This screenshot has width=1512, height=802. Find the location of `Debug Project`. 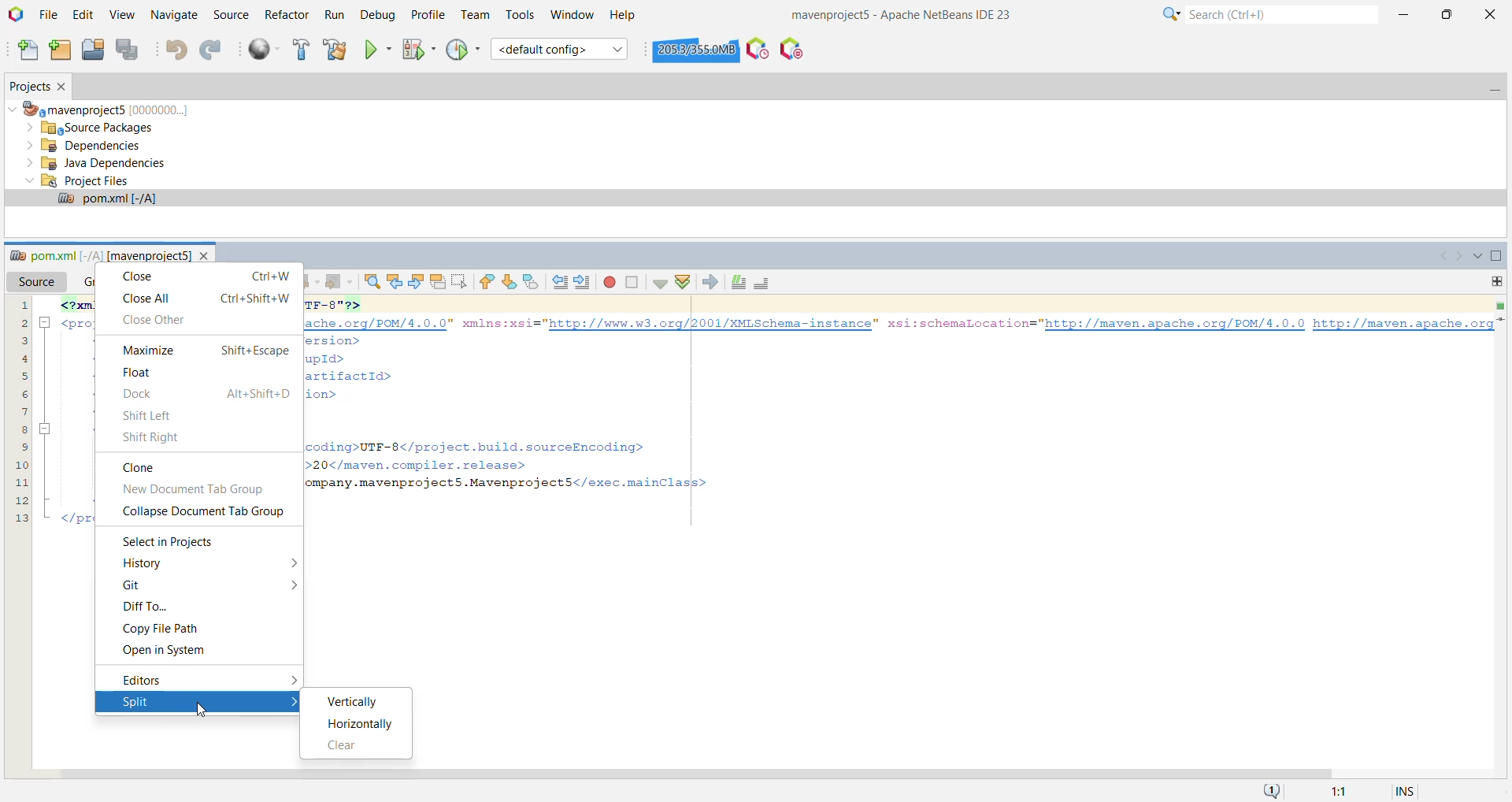

Debug Project is located at coordinates (417, 49).